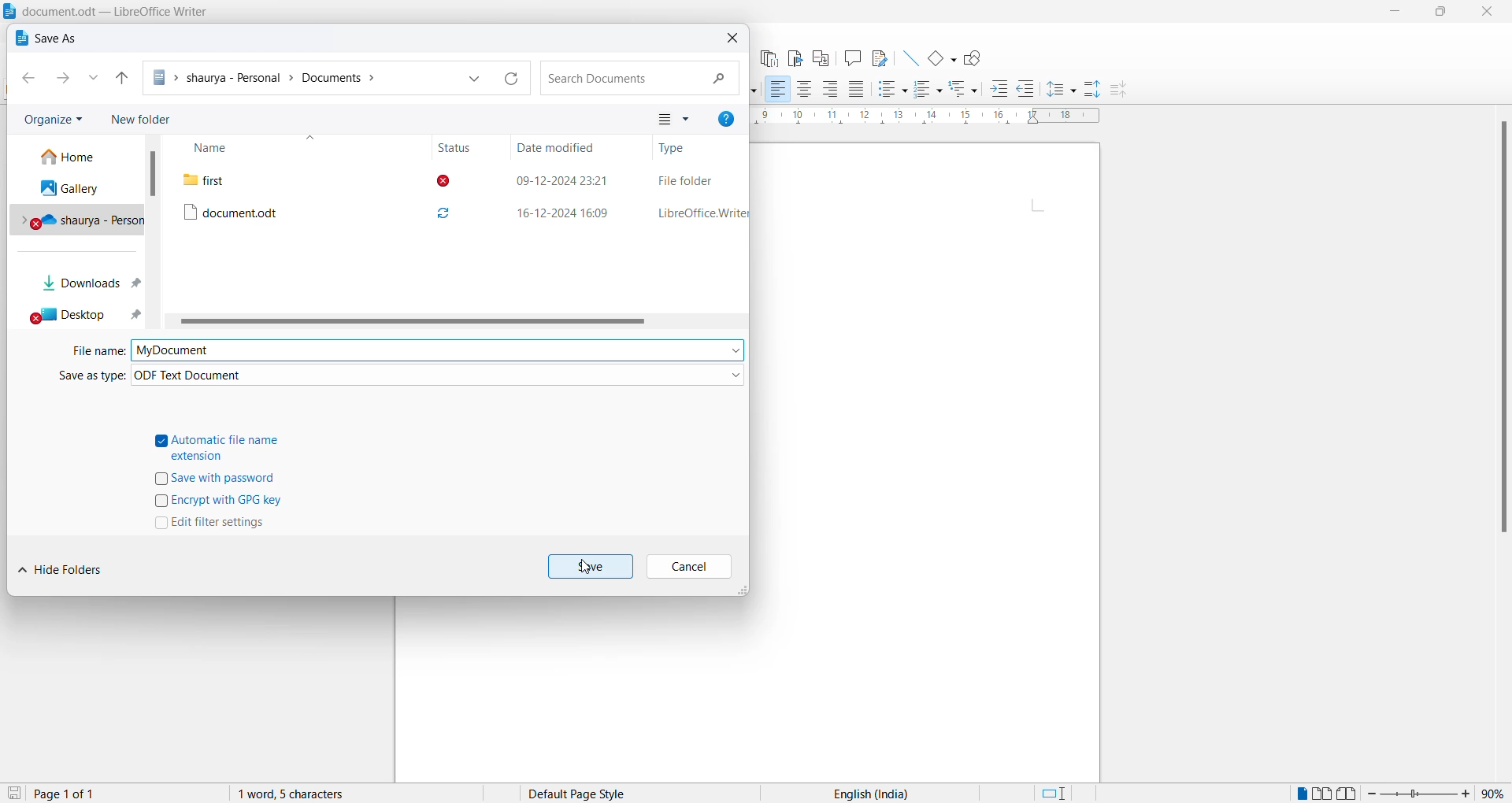 Image resolution: width=1512 pixels, height=803 pixels. Describe the element at coordinates (155, 175) in the screenshot. I see `scroll bar` at that location.